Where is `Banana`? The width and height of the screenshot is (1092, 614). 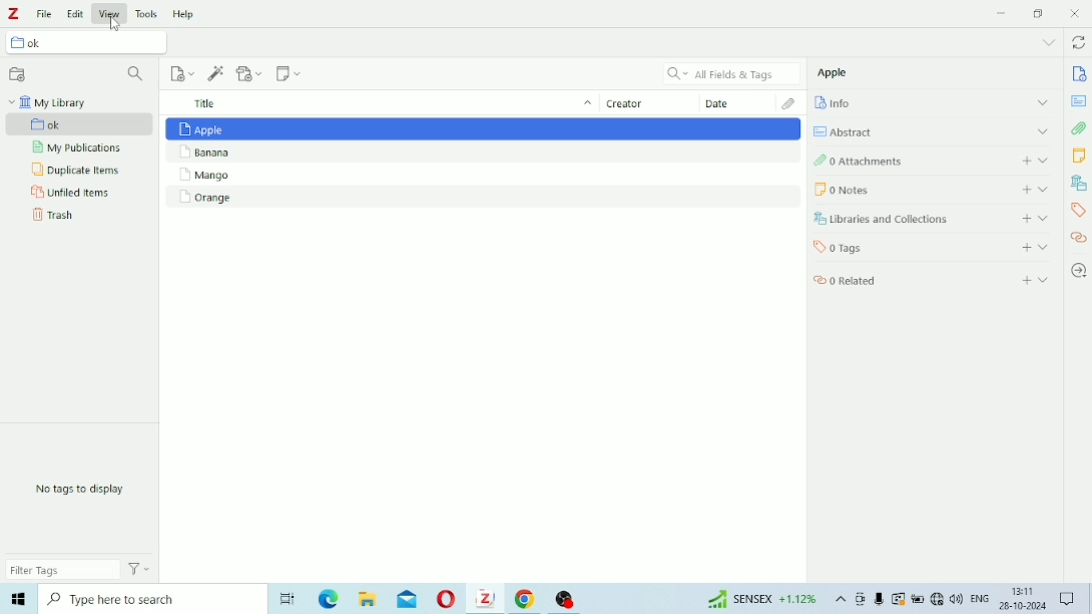 Banana is located at coordinates (484, 153).